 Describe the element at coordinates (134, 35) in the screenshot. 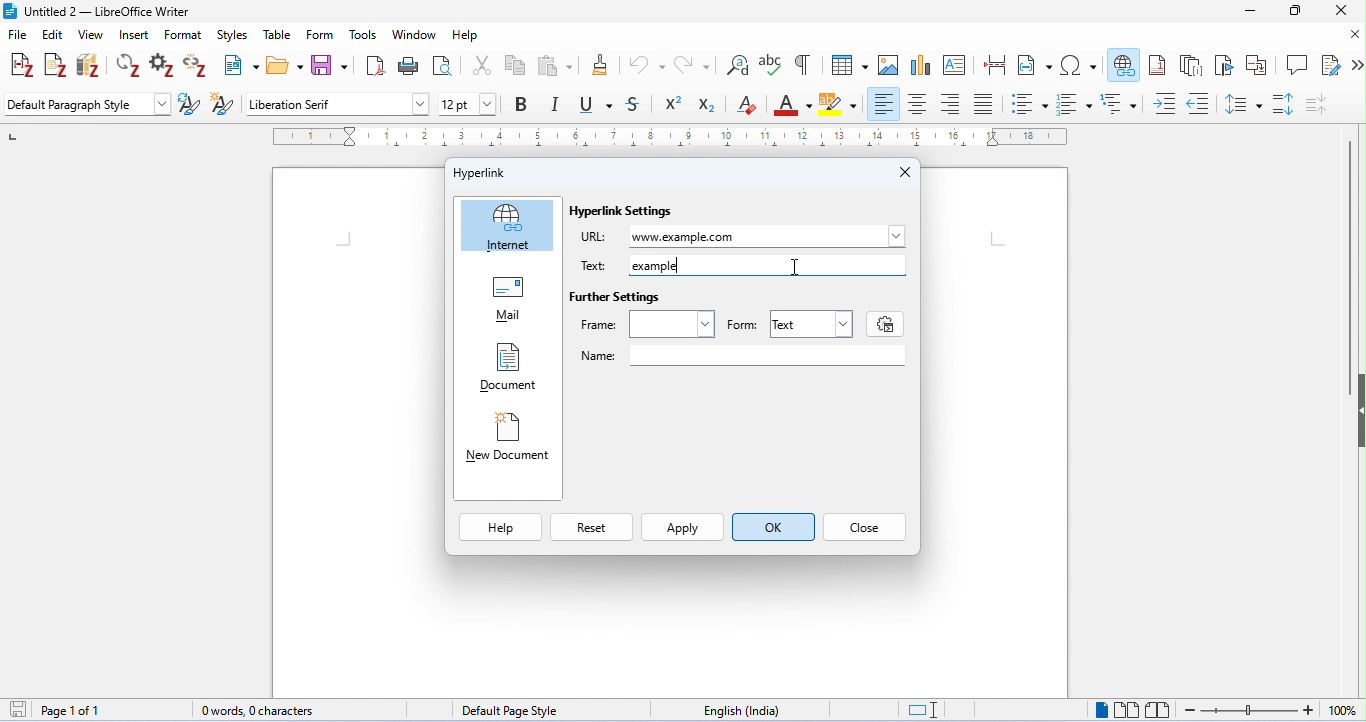

I see `insert` at that location.